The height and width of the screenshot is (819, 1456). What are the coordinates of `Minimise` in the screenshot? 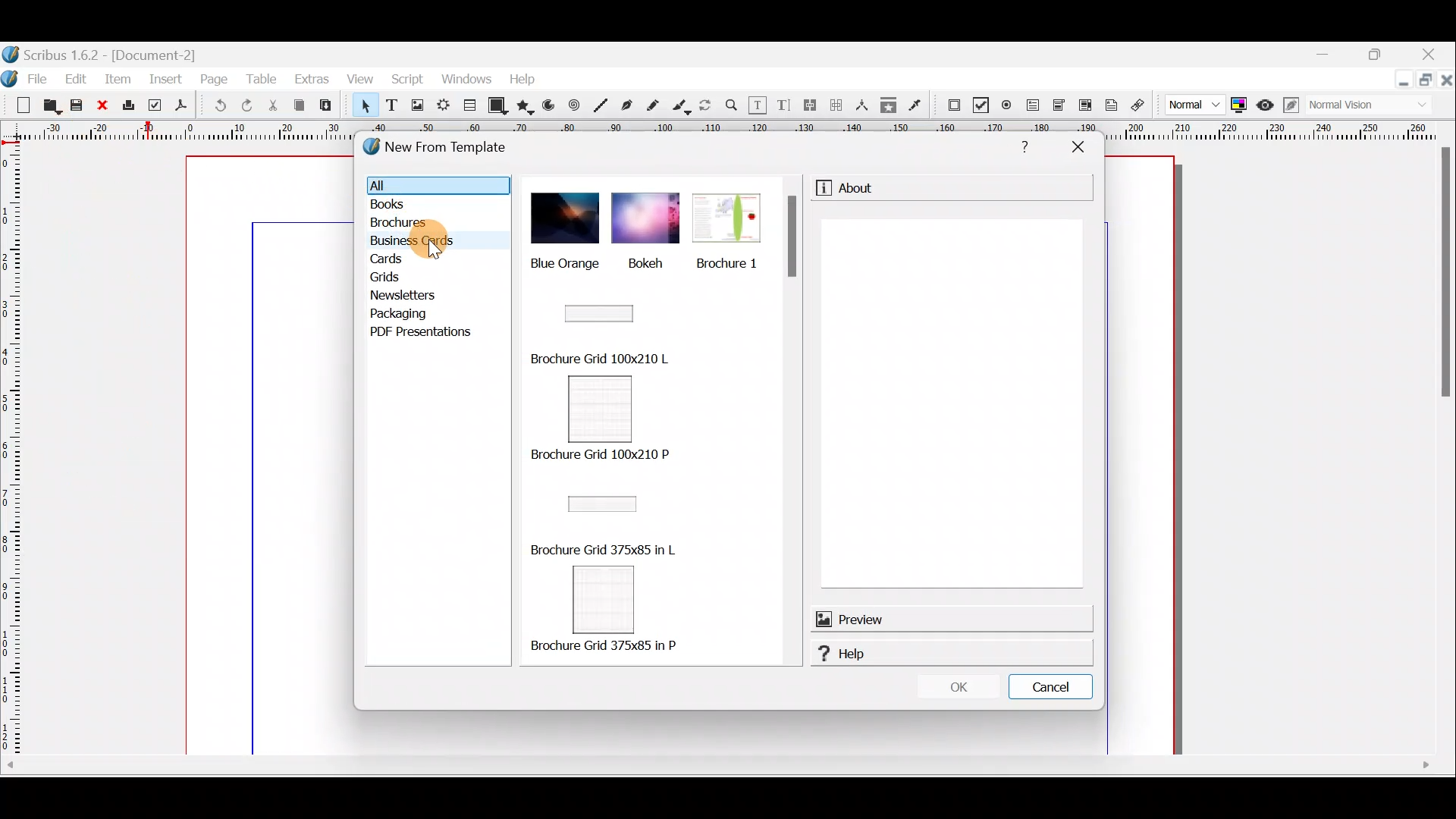 It's located at (1399, 86).